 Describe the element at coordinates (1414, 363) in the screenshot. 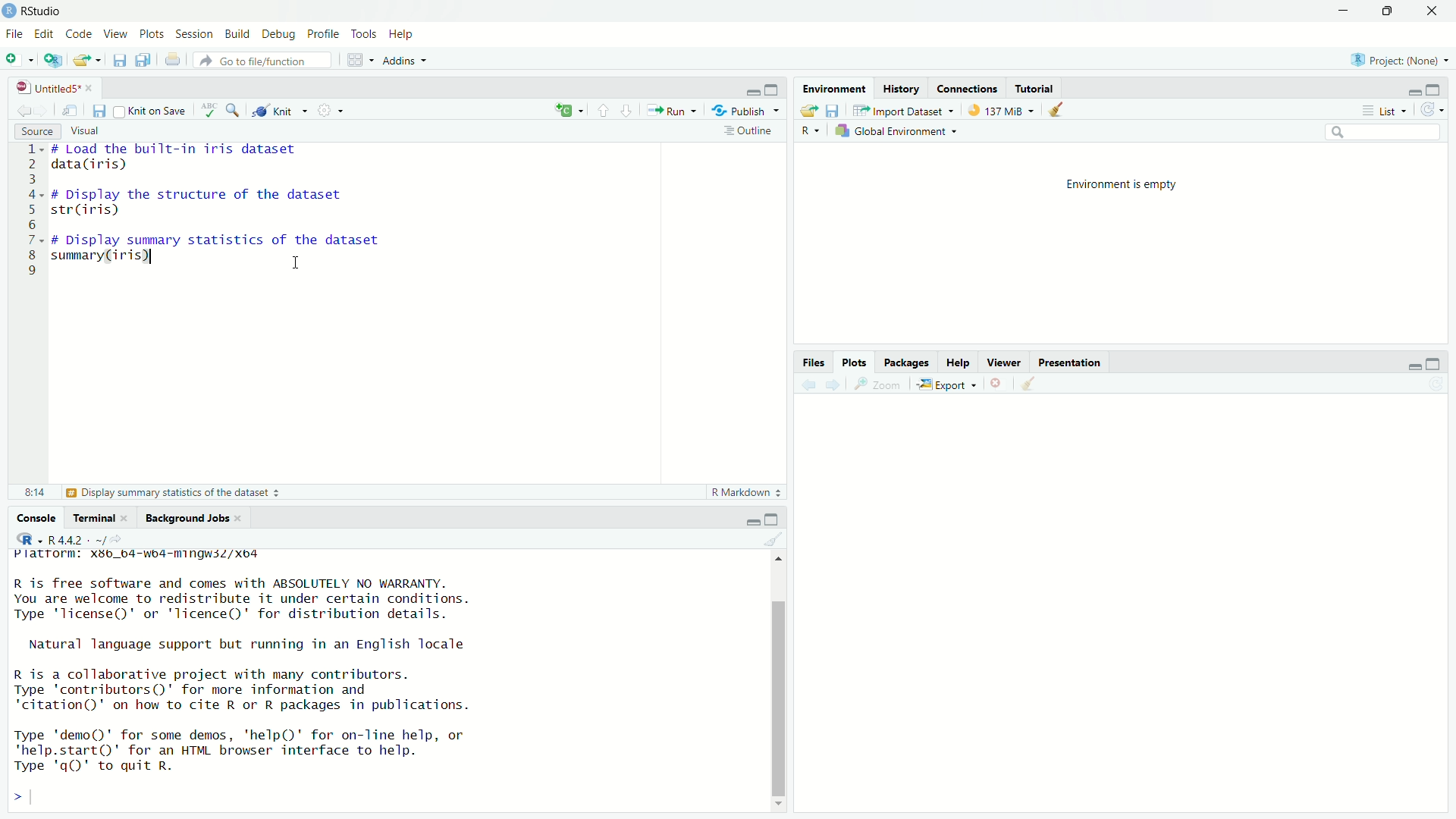

I see `Hide` at that location.